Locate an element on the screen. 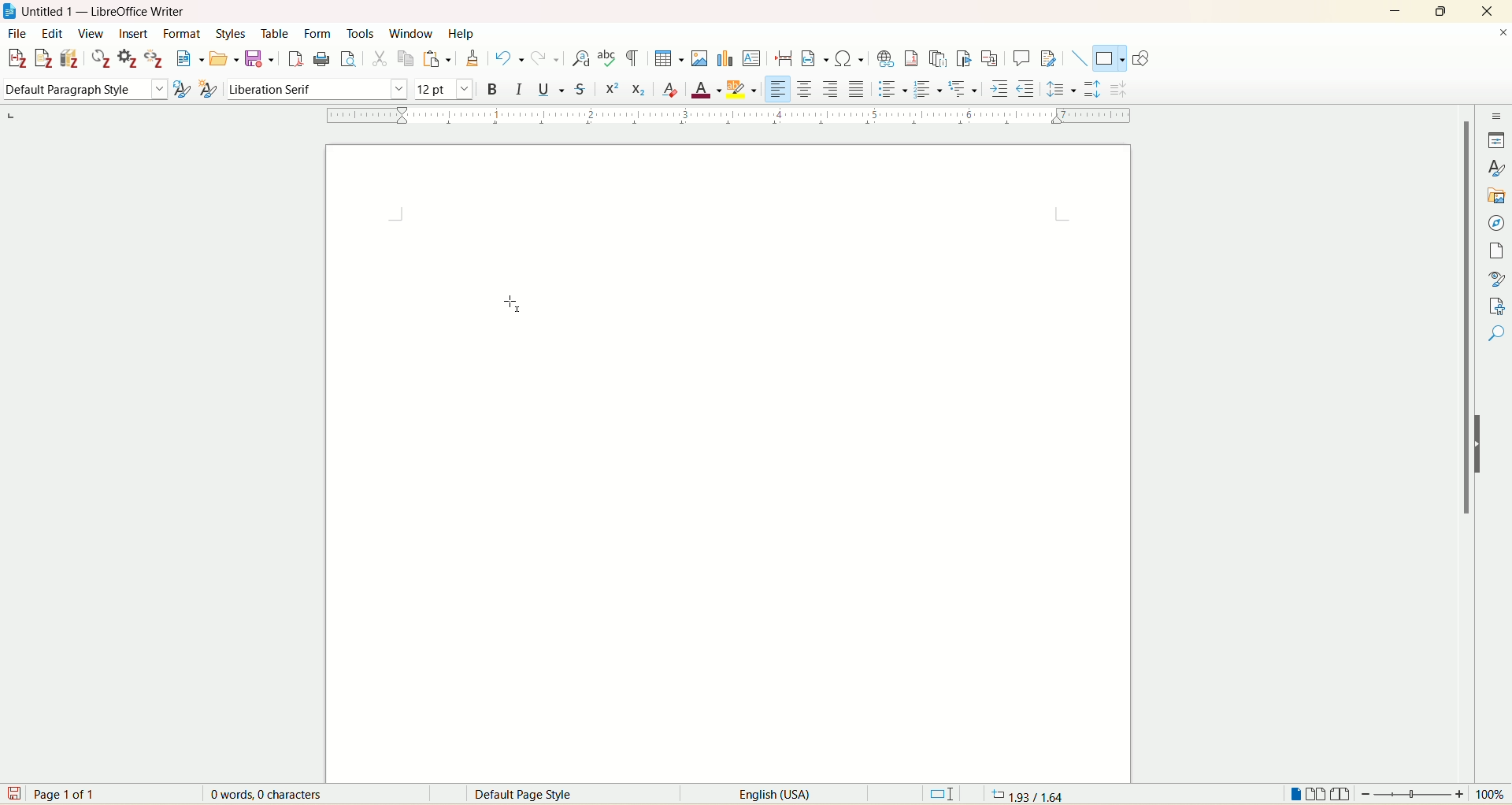 This screenshot has width=1512, height=805. new style from selection is located at coordinates (208, 87).